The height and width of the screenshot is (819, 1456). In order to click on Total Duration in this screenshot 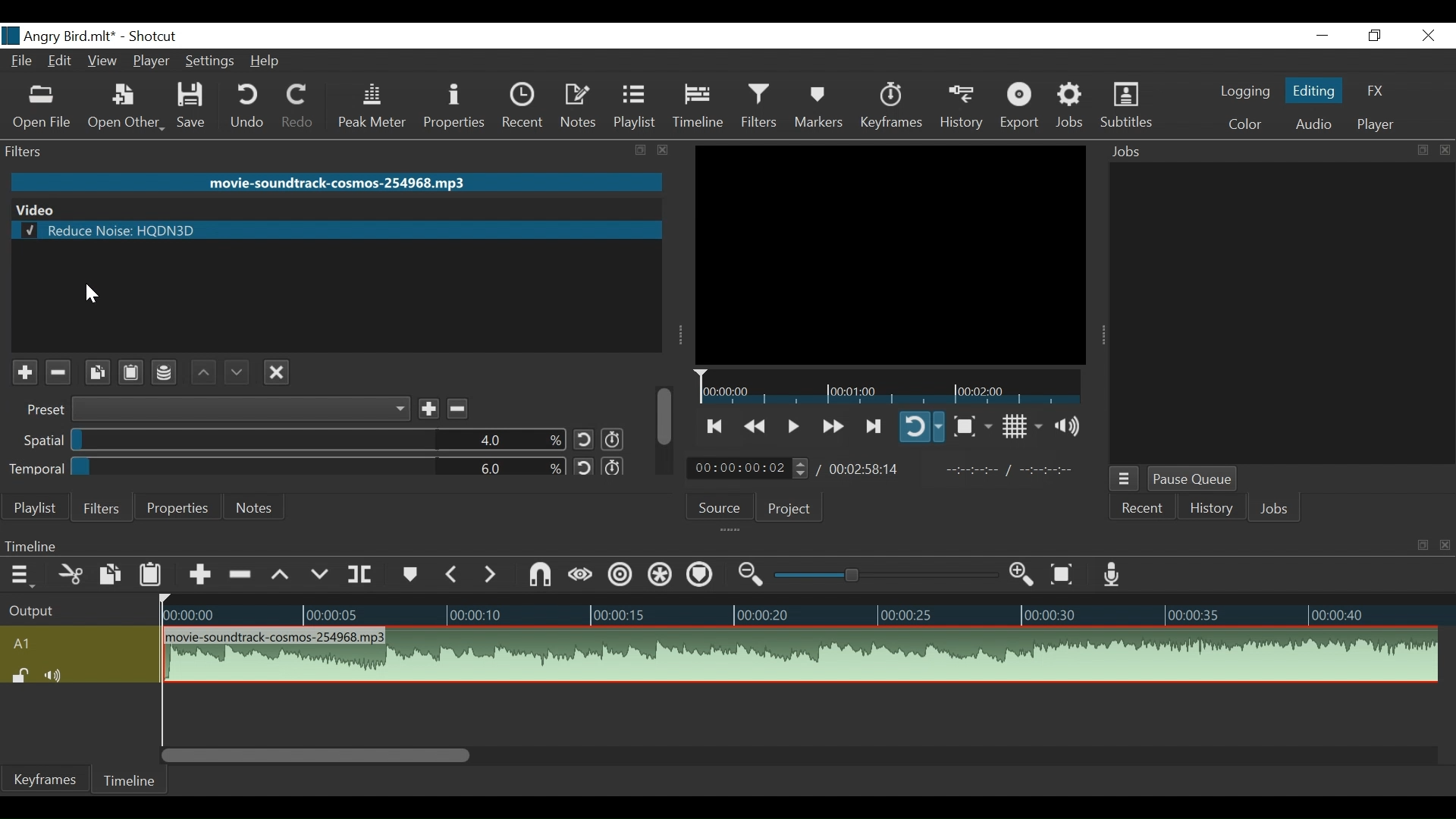, I will do `click(868, 468)`.